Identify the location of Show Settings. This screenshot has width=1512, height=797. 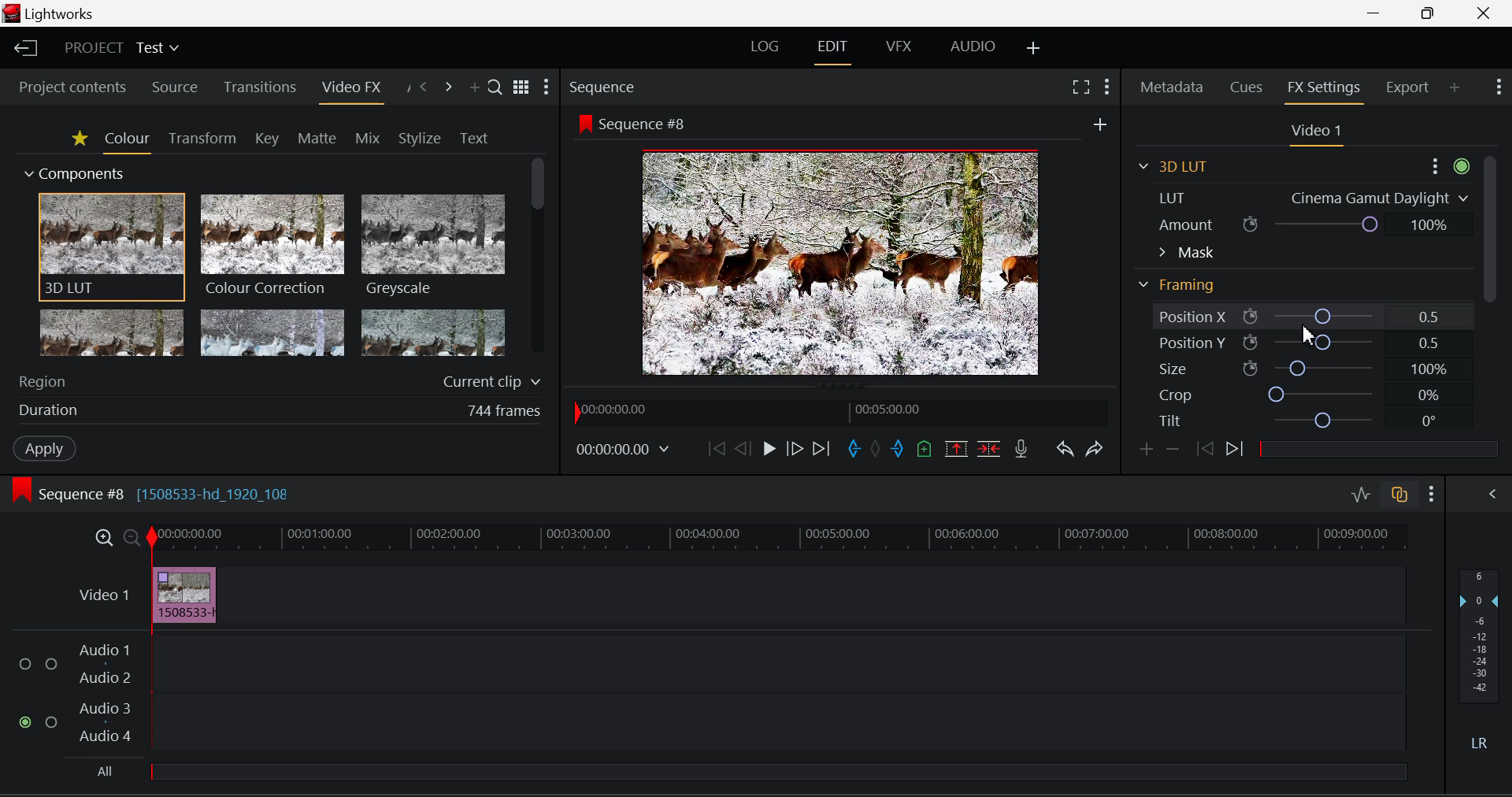
(1106, 85).